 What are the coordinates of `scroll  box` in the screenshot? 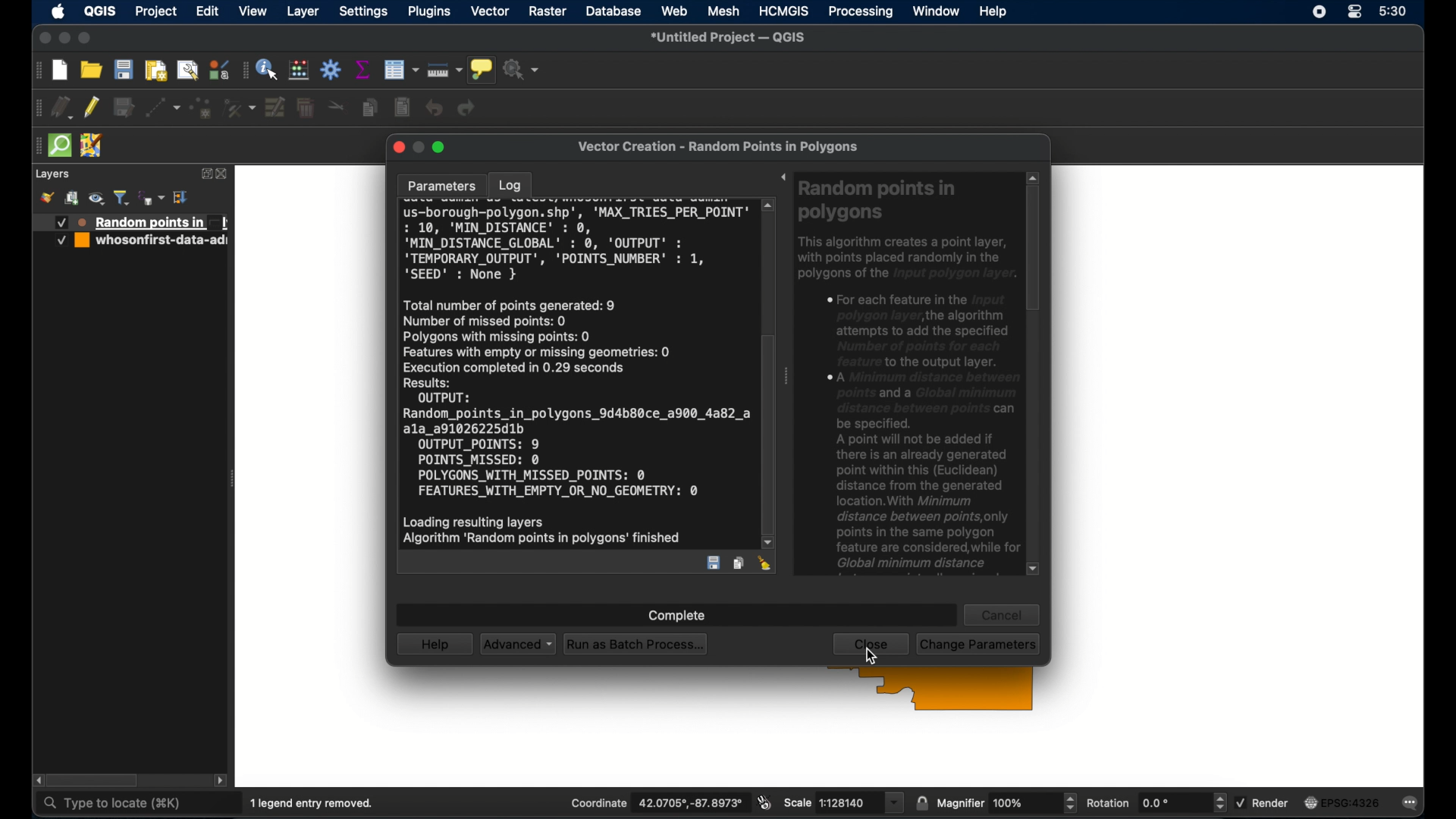 It's located at (1034, 250).